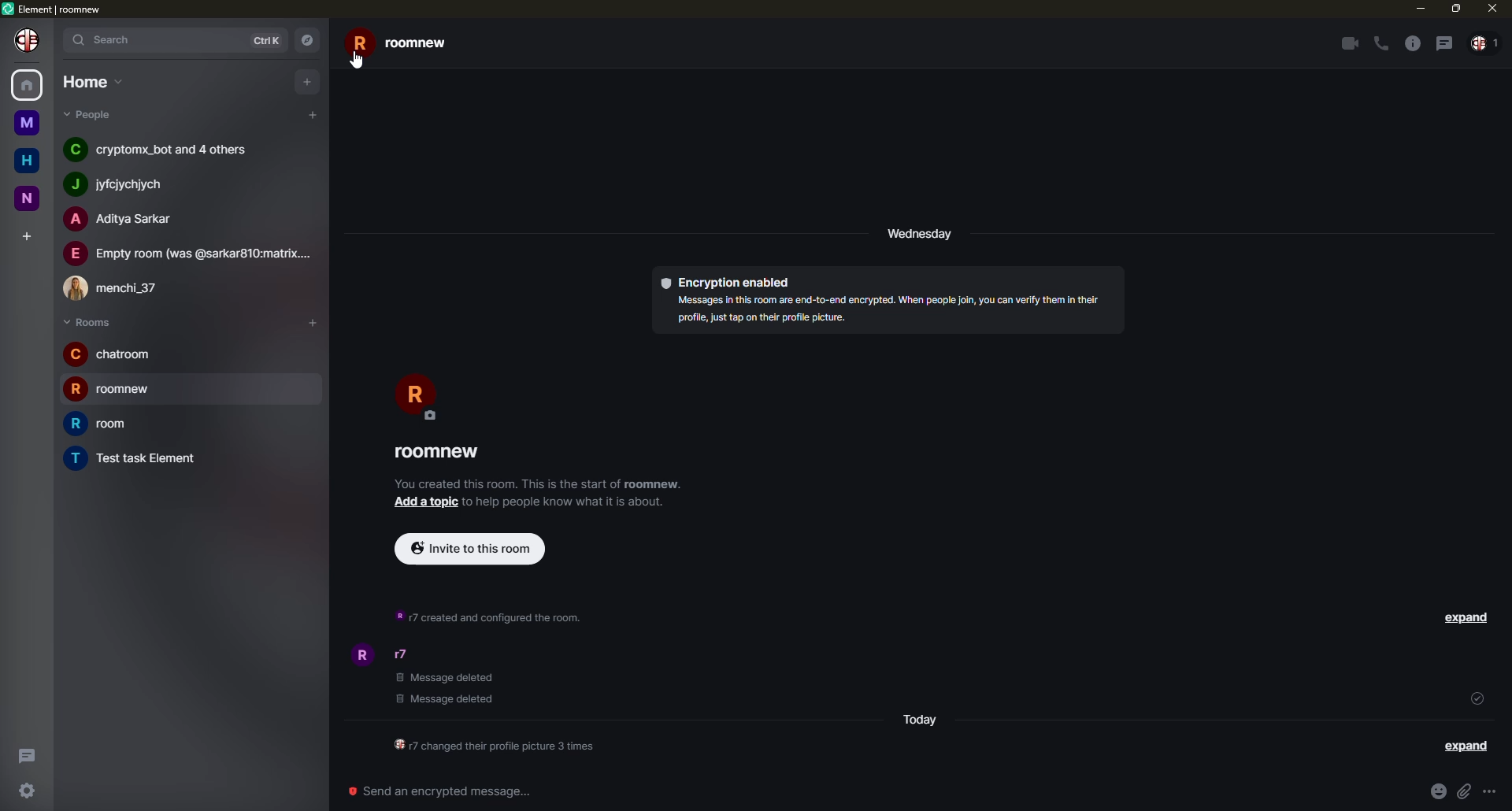 The image size is (1512, 811). What do you see at coordinates (1485, 45) in the screenshot?
I see `people` at bounding box center [1485, 45].